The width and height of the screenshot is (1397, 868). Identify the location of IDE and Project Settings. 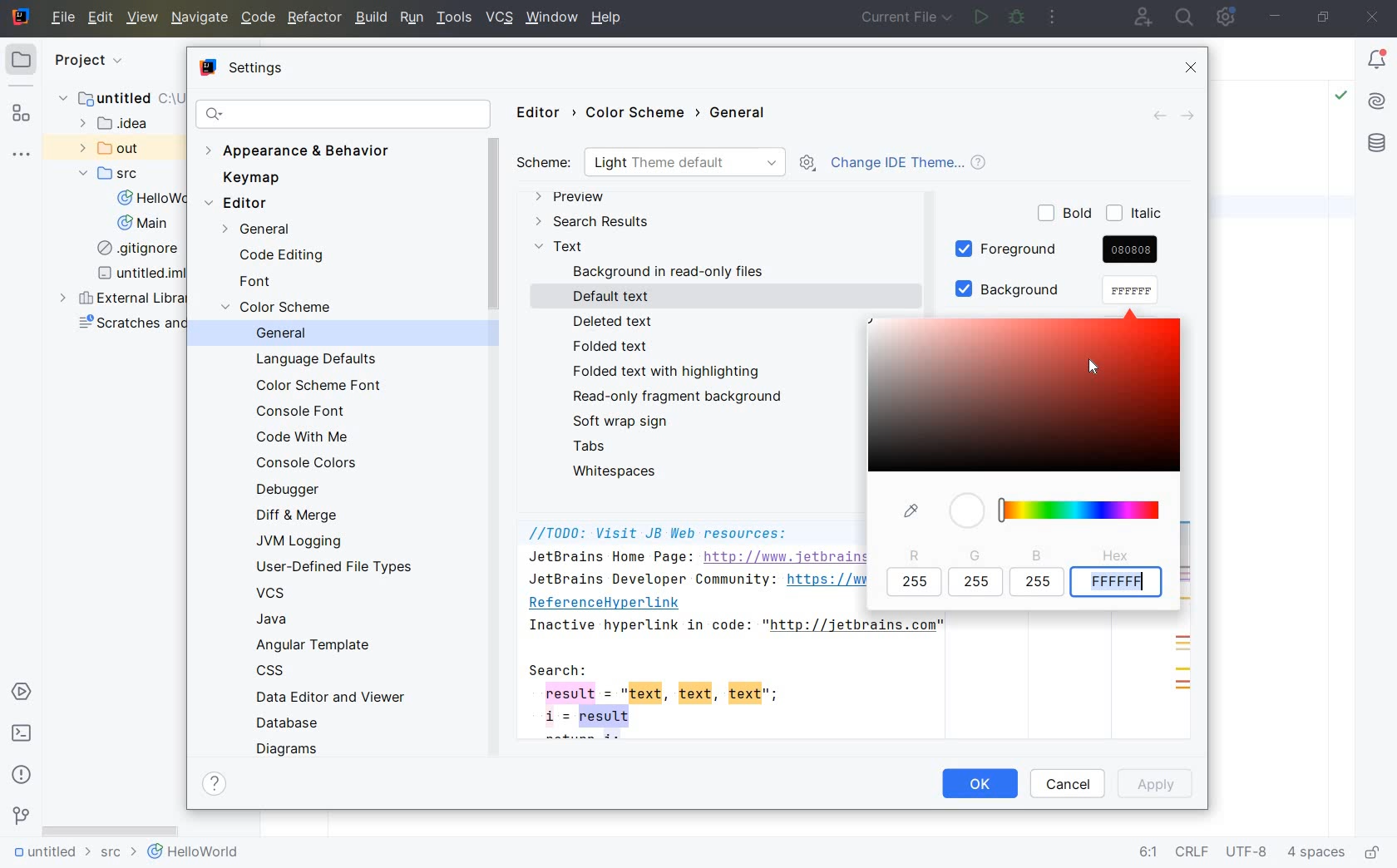
(1229, 18).